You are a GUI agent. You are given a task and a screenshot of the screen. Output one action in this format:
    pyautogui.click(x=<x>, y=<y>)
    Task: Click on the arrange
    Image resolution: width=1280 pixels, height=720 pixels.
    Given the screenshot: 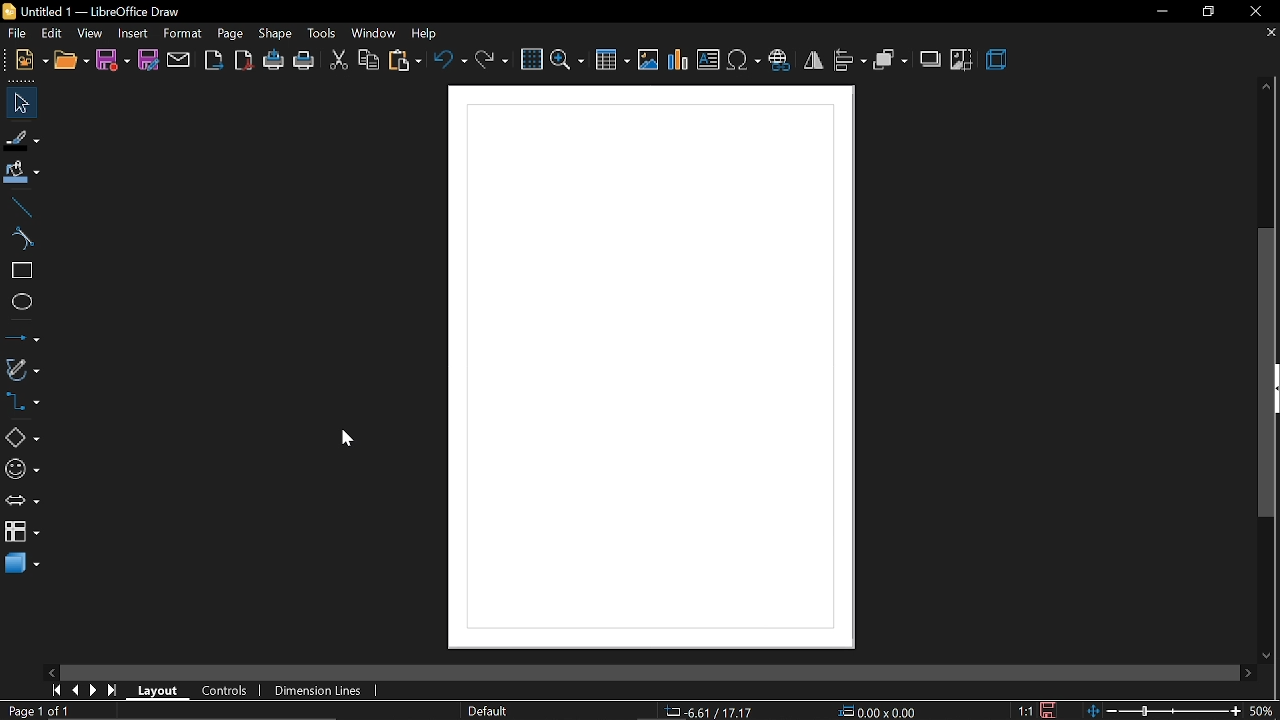 What is the action you would take?
    pyautogui.click(x=890, y=60)
    